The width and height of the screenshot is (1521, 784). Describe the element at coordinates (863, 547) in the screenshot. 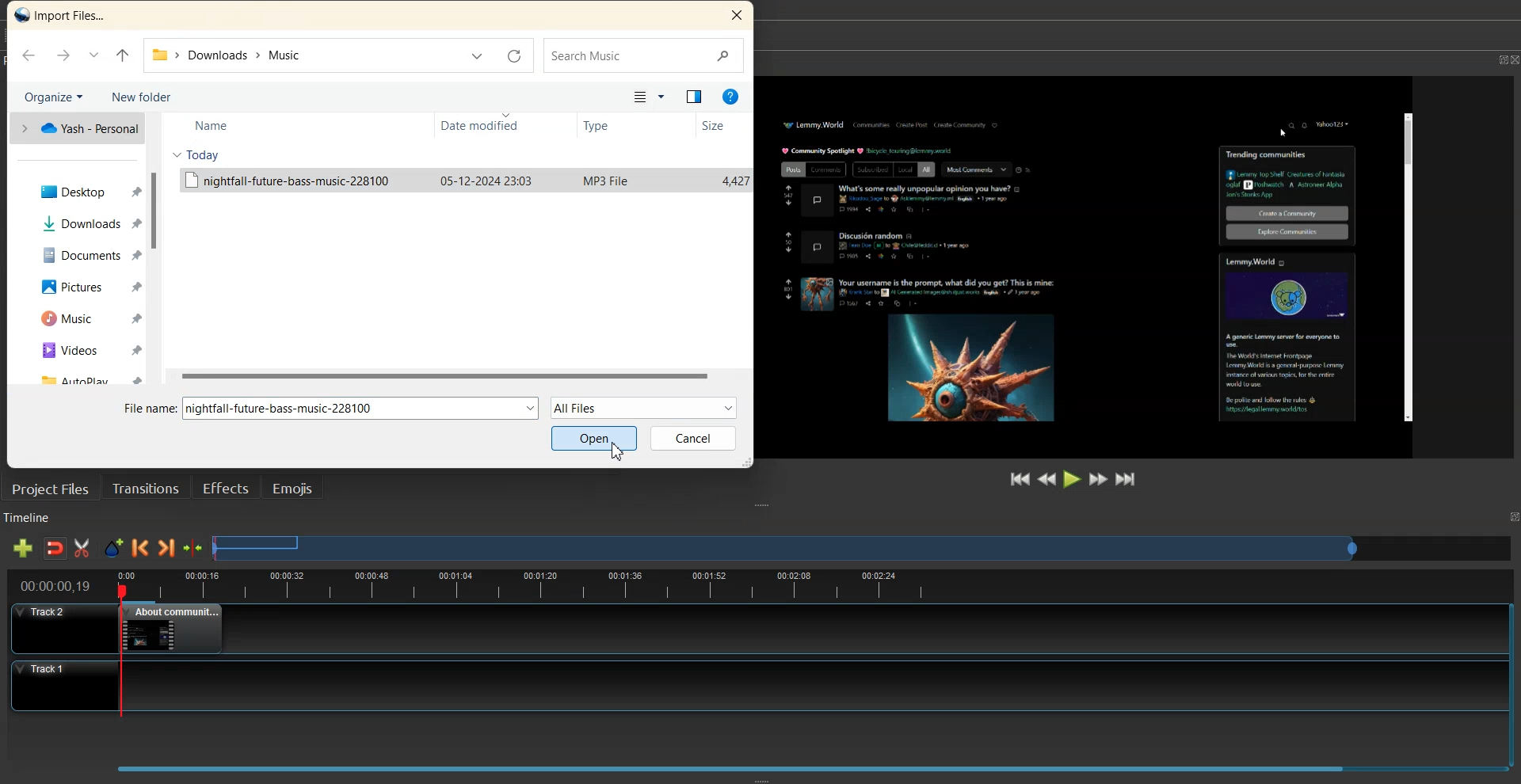

I see `Slider` at that location.